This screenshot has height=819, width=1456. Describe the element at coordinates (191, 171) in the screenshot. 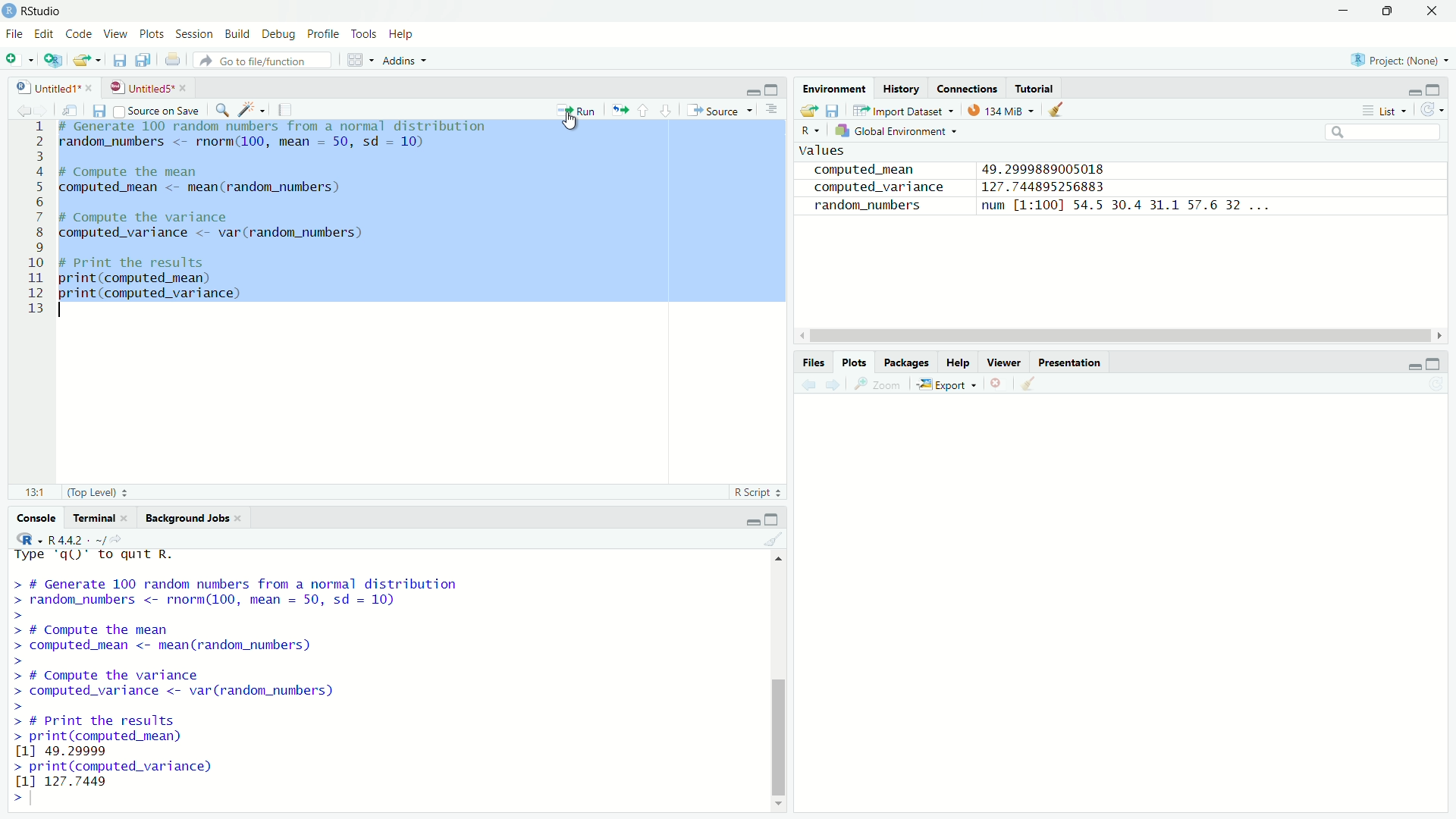

I see `# Compute the mean` at that location.